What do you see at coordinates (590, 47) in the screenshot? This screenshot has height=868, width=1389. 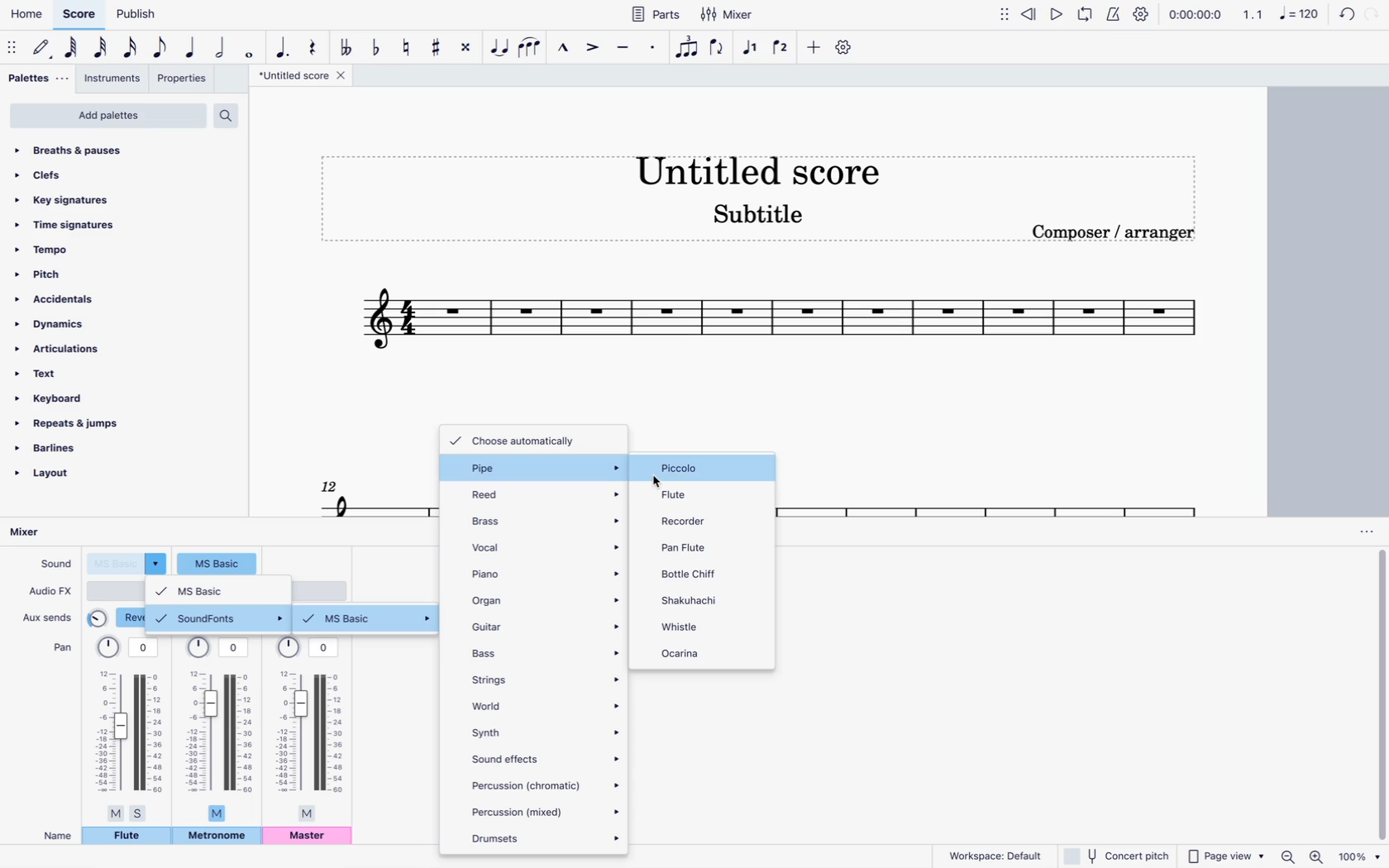 I see `accent` at bounding box center [590, 47].